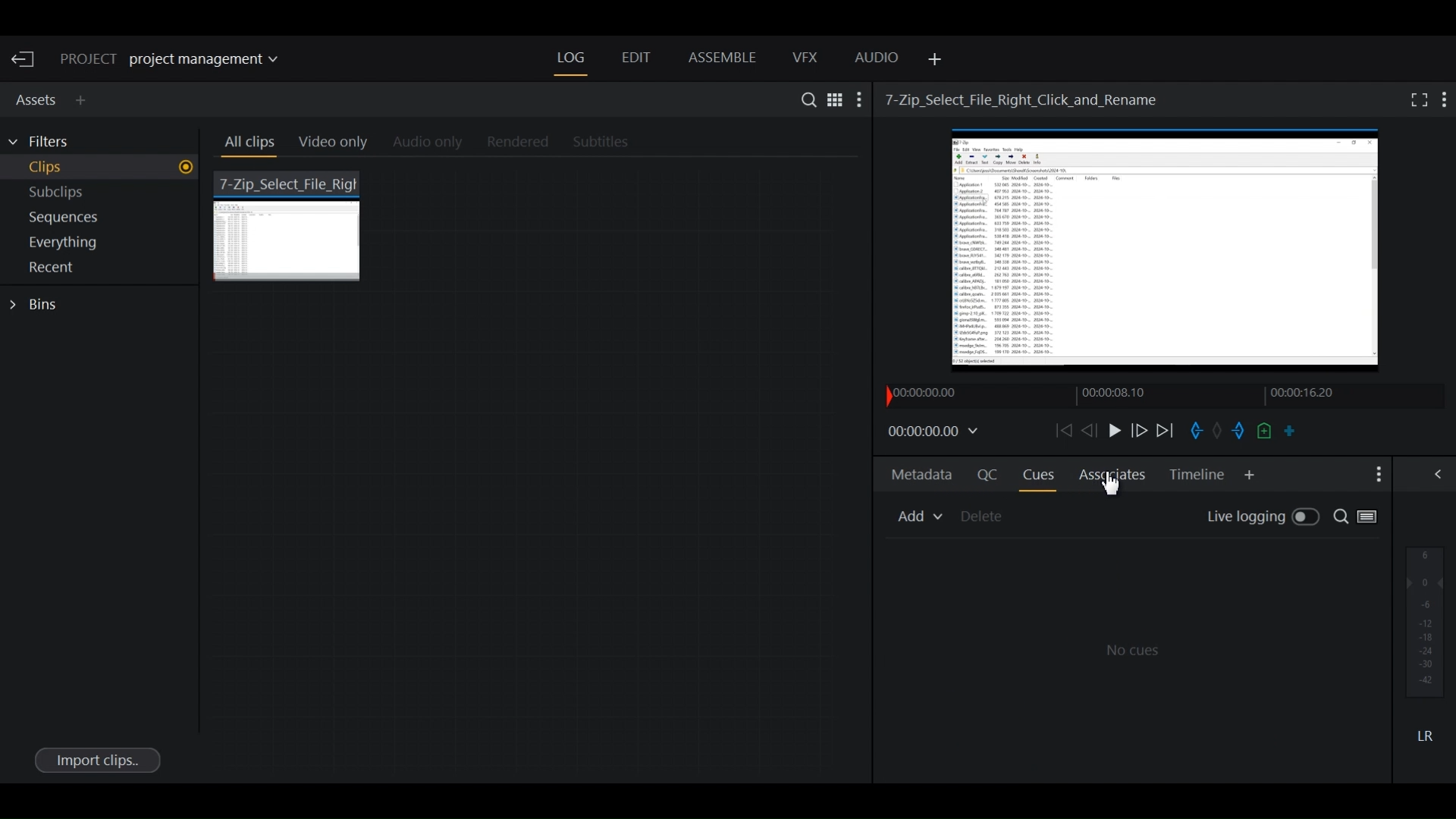 This screenshot has width=1456, height=819. I want to click on Show settings menu, so click(1445, 99).